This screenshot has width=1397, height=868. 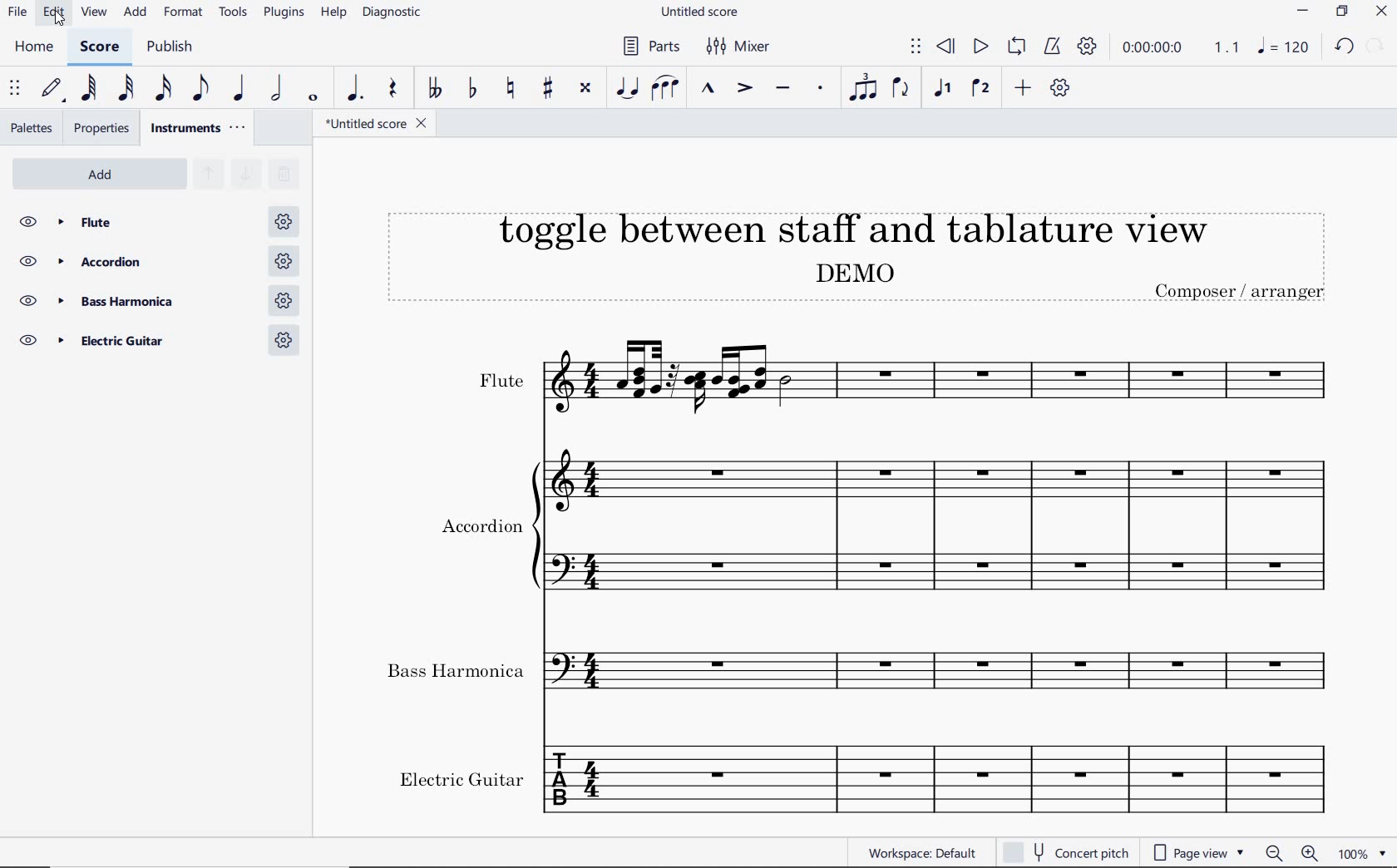 I want to click on slur, so click(x=666, y=88).